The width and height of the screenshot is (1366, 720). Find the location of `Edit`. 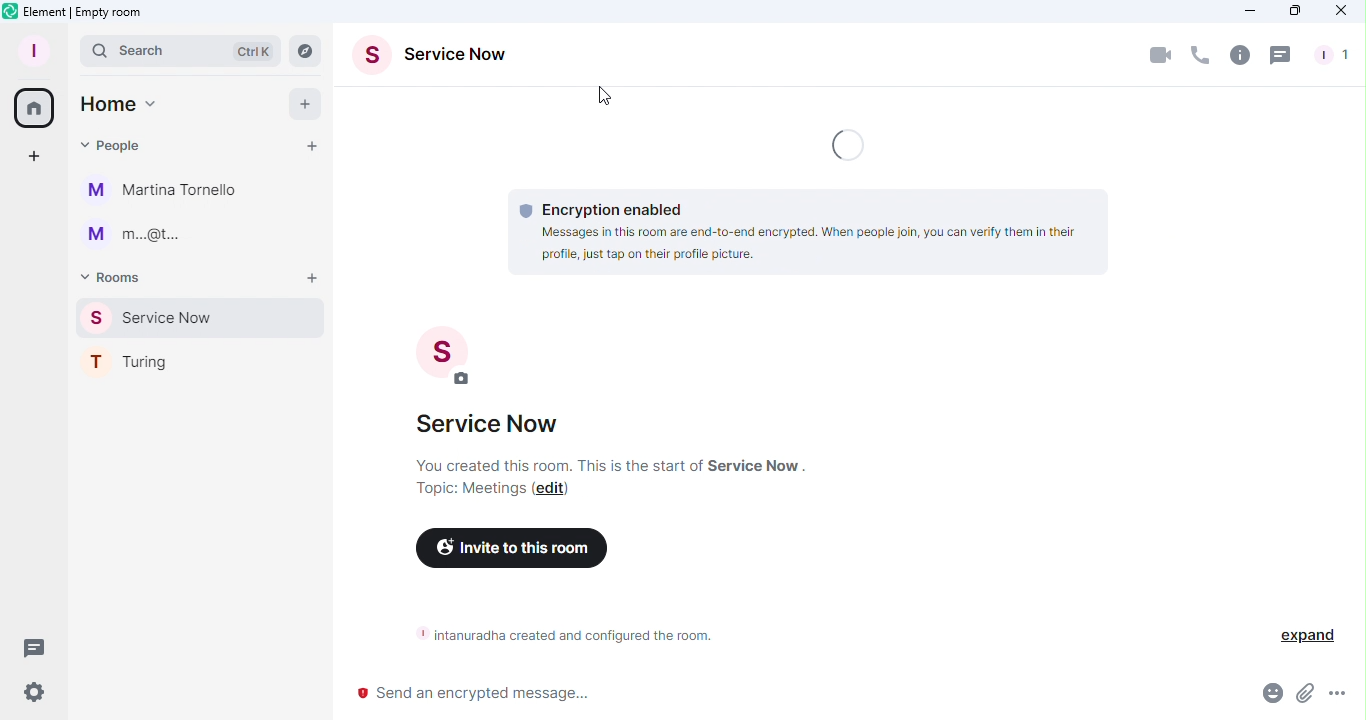

Edit is located at coordinates (554, 489).